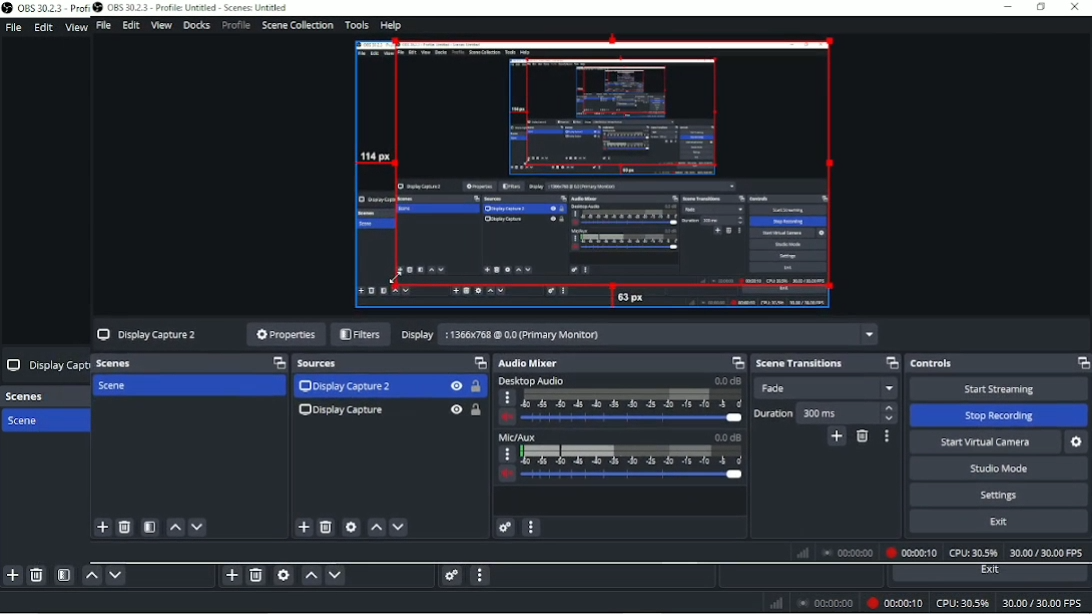 This screenshot has width=1092, height=614. Describe the element at coordinates (153, 529) in the screenshot. I see `filter` at that location.